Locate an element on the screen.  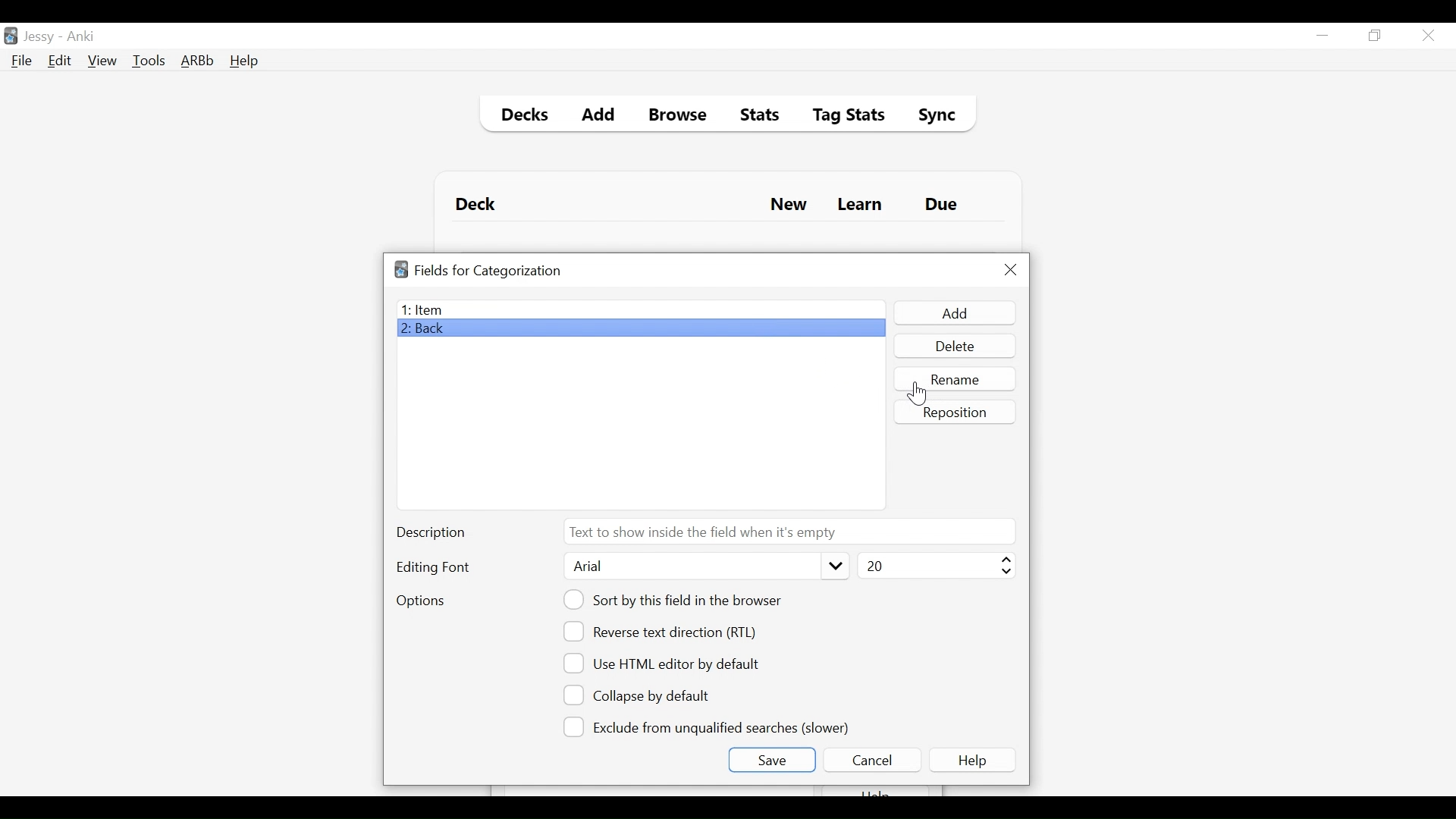
Field for Categorization is located at coordinates (488, 271).